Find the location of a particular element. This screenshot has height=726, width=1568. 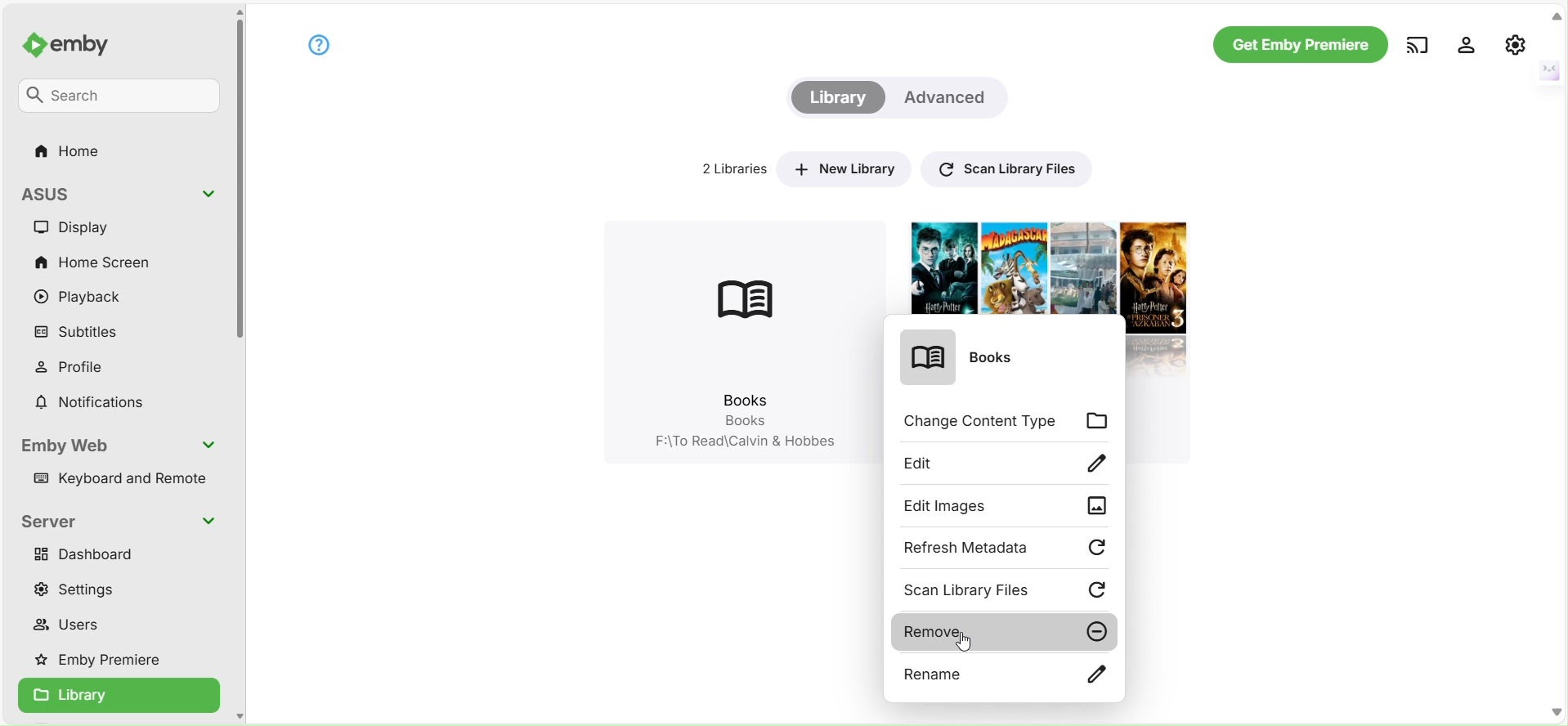

collapse is located at coordinates (1557, 16).